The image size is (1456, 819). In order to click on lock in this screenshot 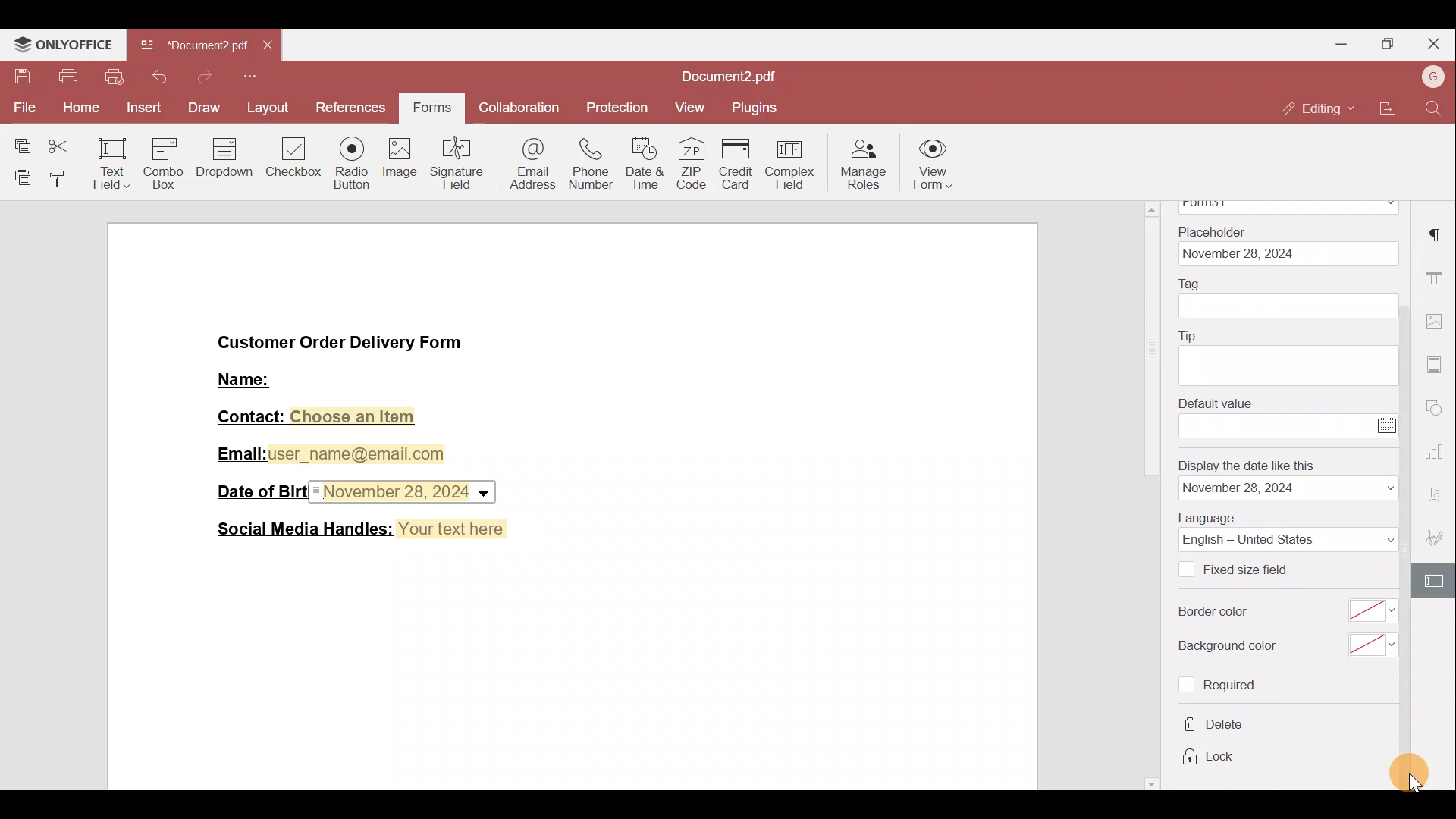, I will do `click(1210, 756)`.